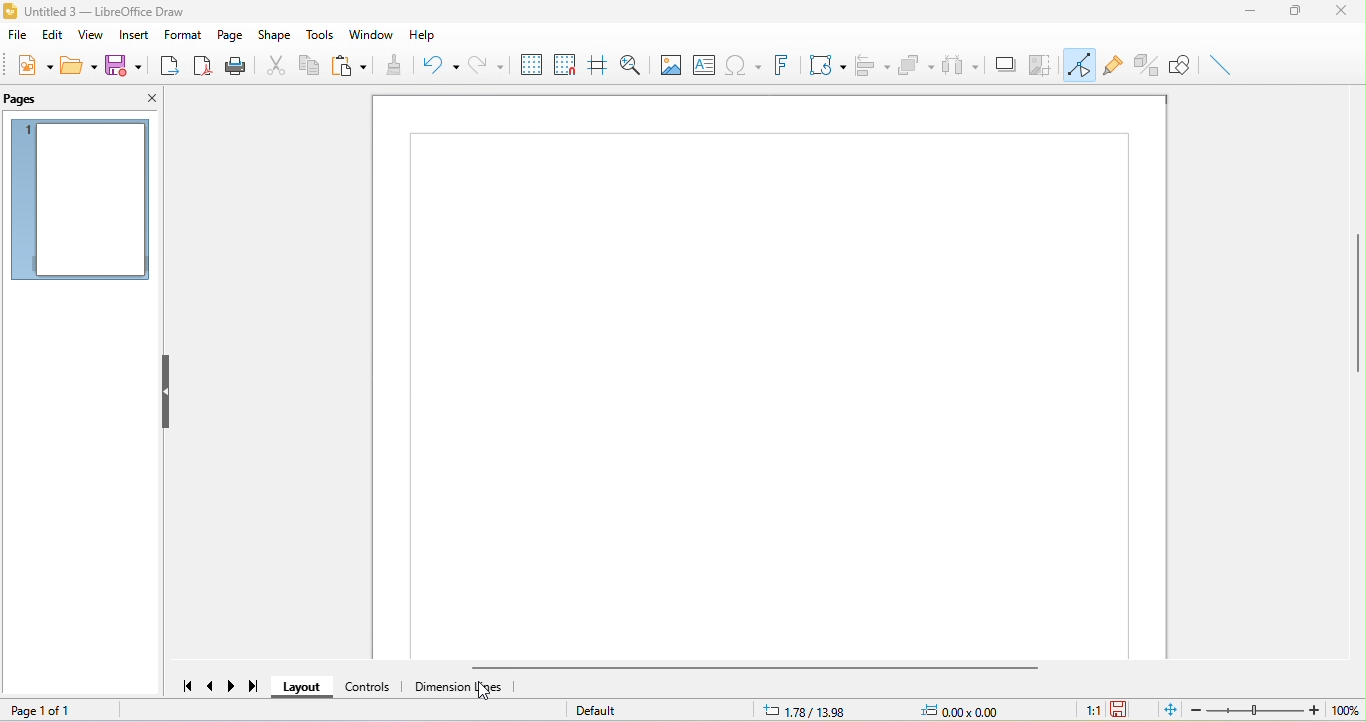 This screenshot has height=722, width=1366. What do you see at coordinates (171, 66) in the screenshot?
I see `export` at bounding box center [171, 66].